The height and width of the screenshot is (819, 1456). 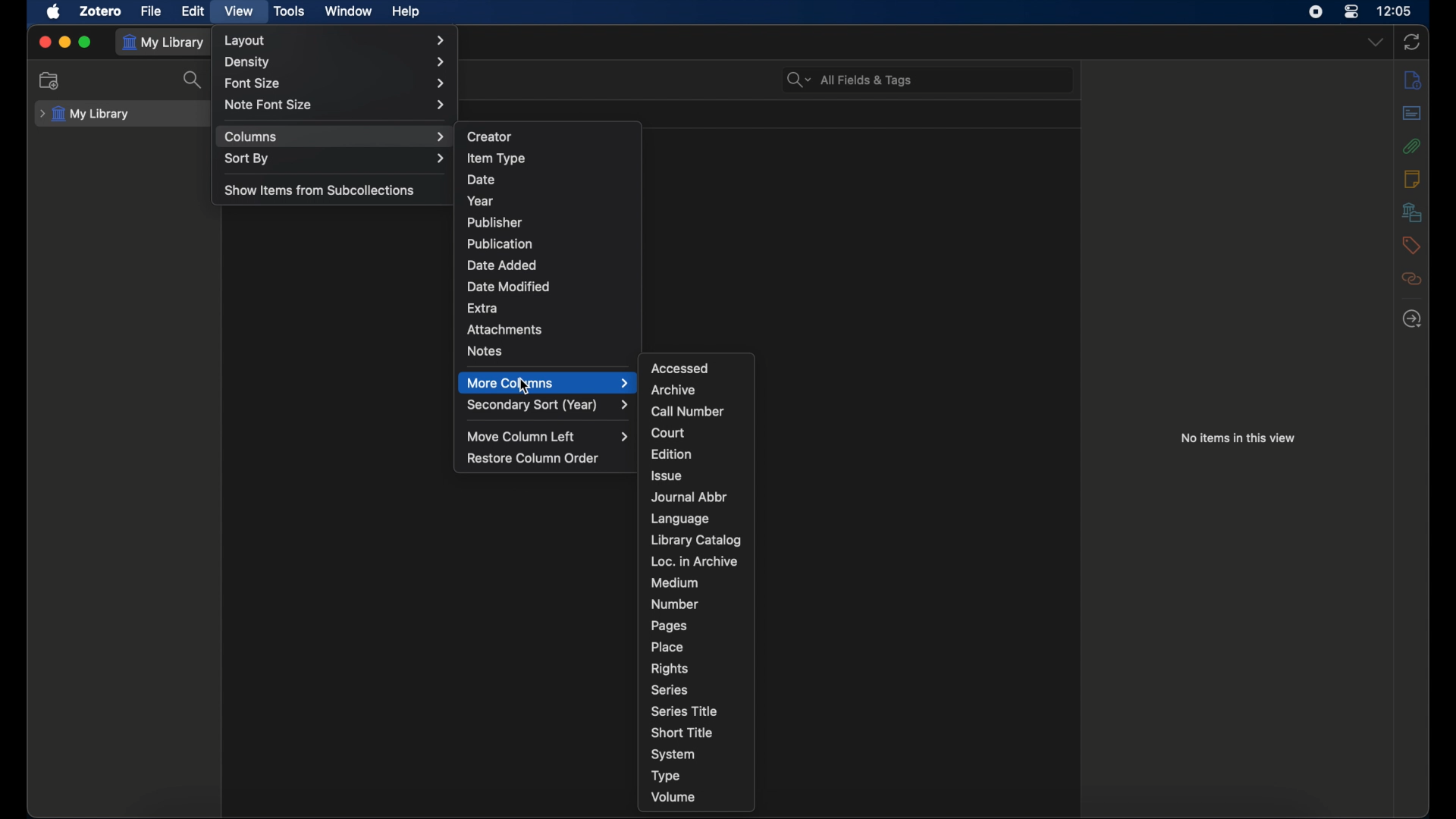 I want to click on close, so click(x=44, y=42).